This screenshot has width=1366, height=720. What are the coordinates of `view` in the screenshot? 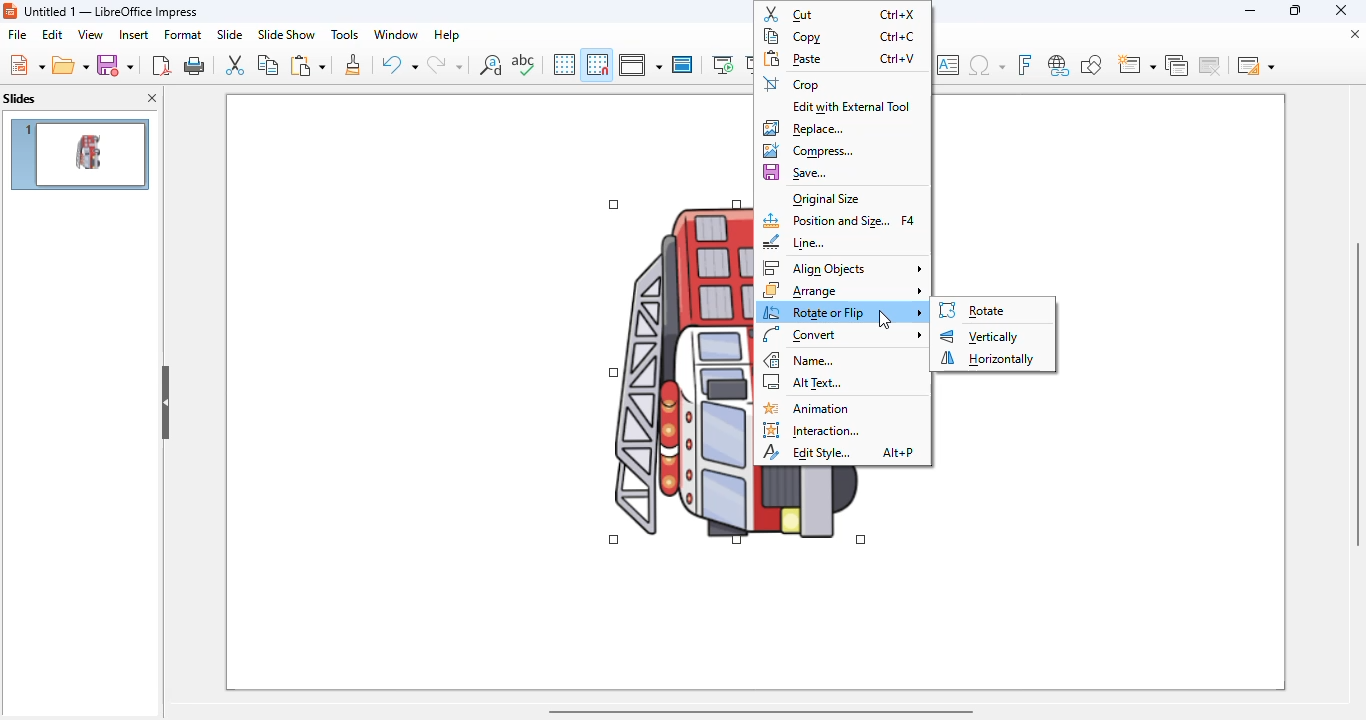 It's located at (90, 35).